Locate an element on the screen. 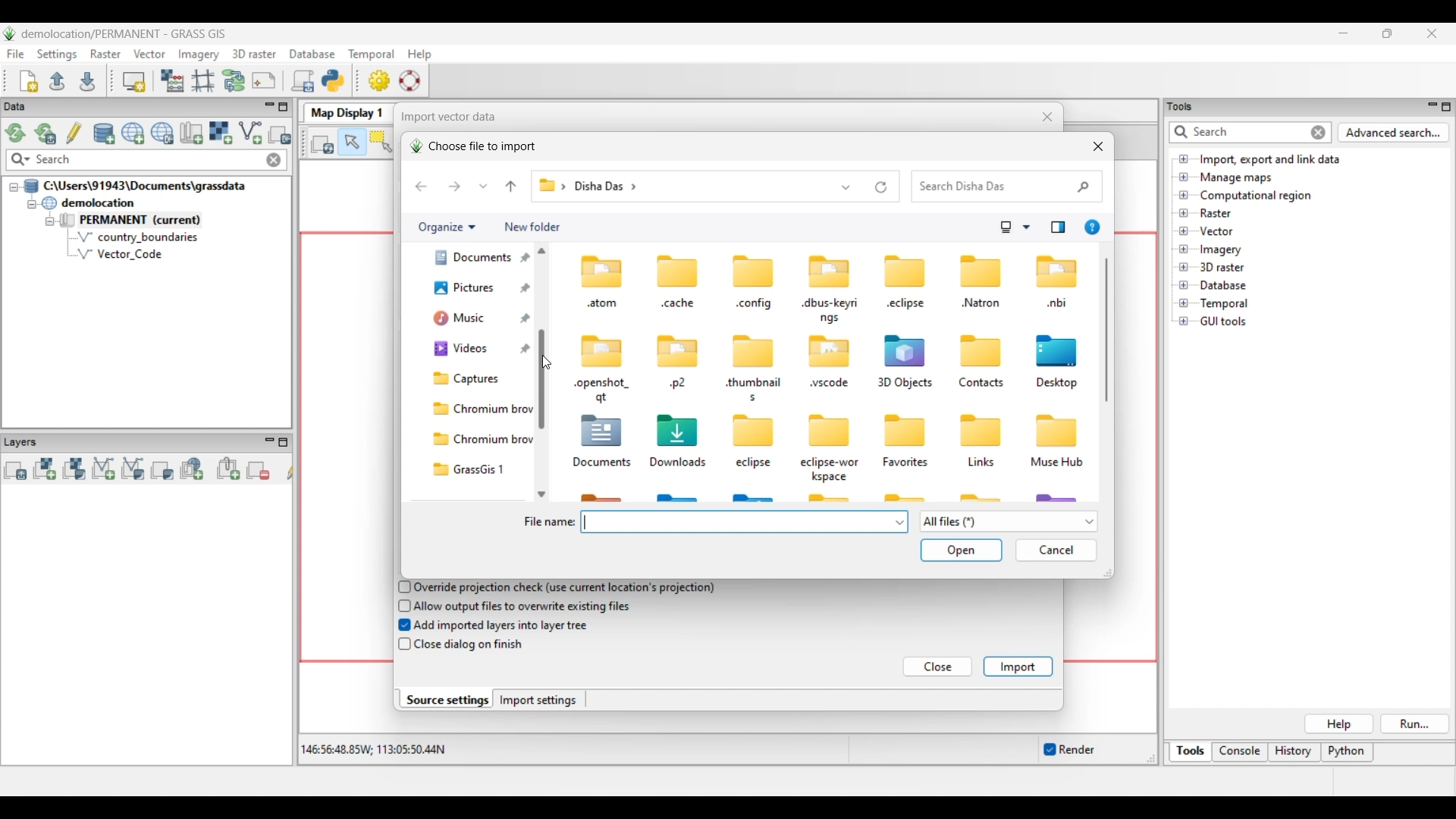 Image resolution: width=1456 pixels, height=819 pixels. icon is located at coordinates (905, 271).